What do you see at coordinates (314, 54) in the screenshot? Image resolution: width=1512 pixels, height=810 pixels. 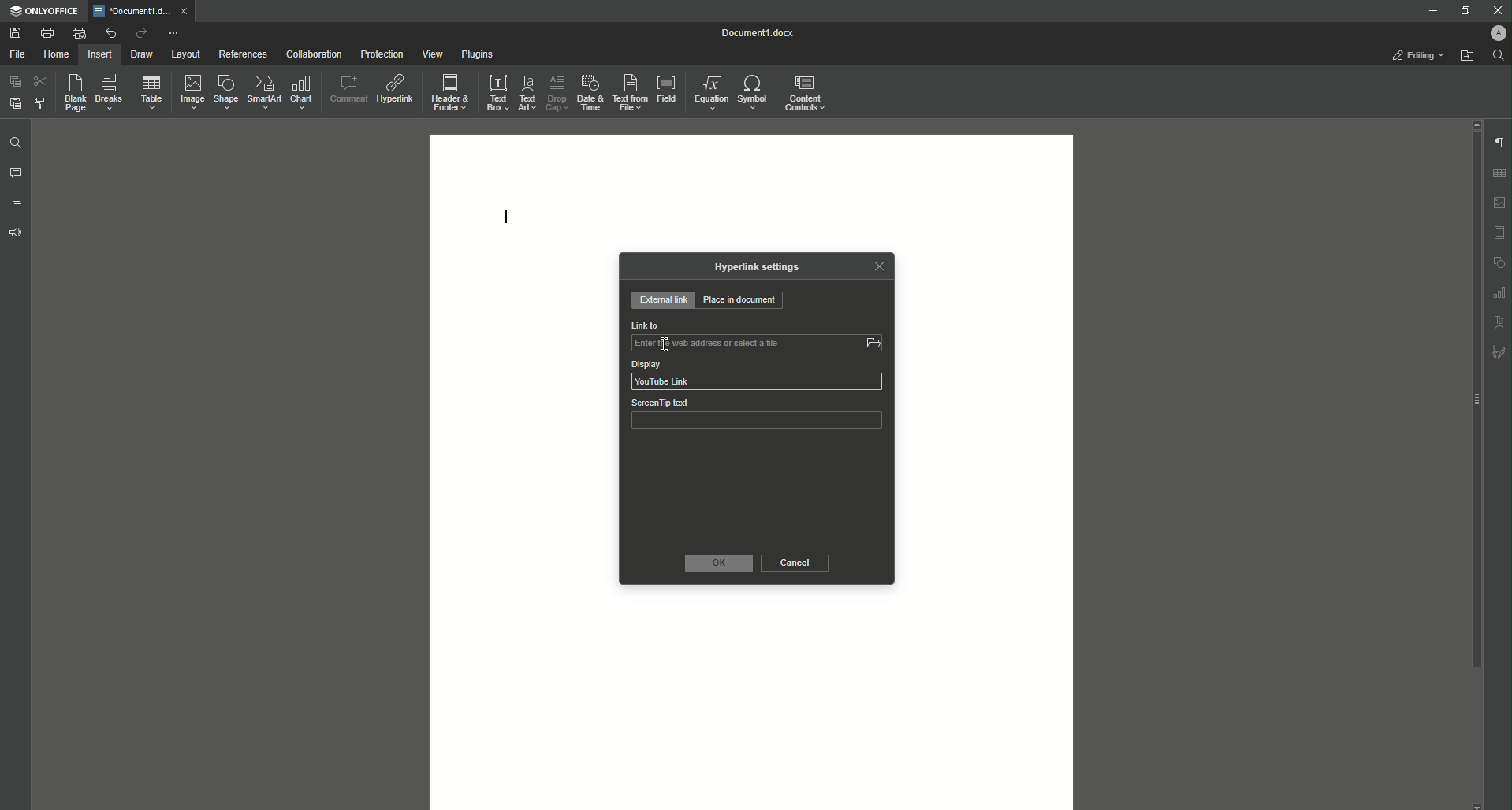 I see `Collaboration` at bounding box center [314, 54].